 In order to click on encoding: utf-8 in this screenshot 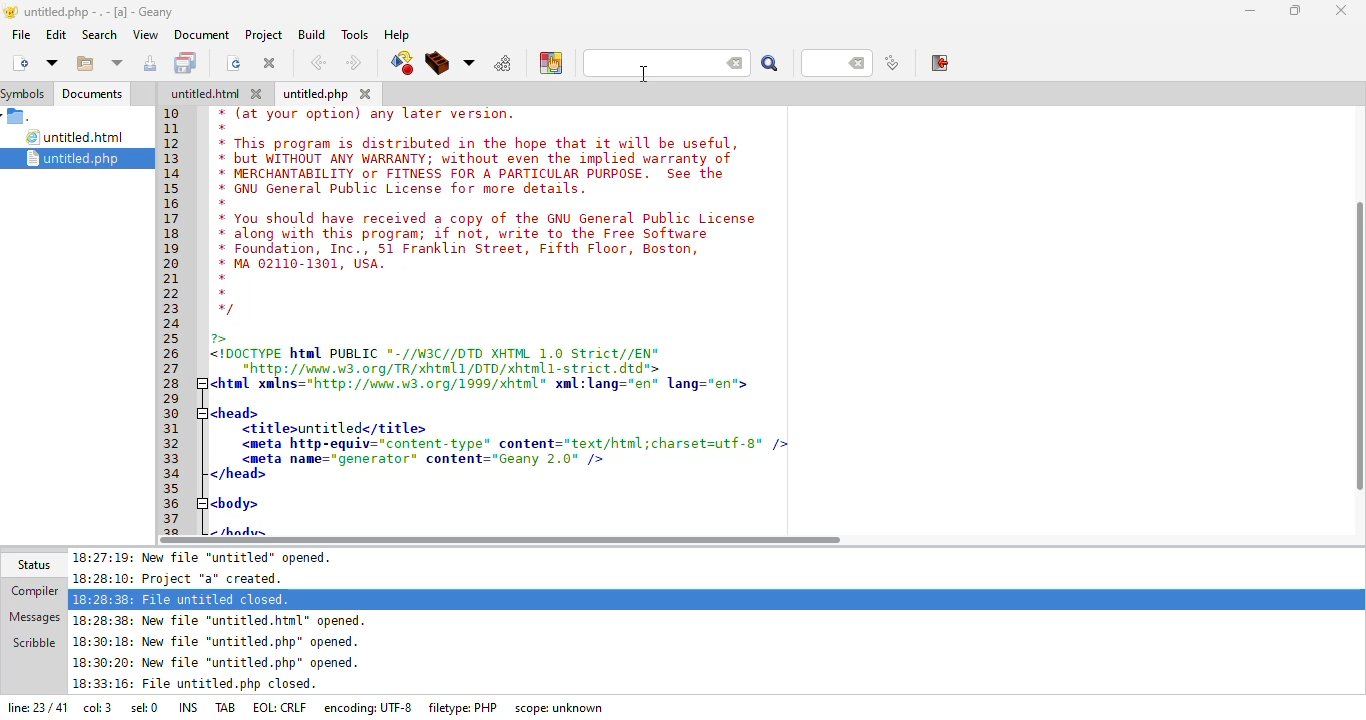, I will do `click(372, 707)`.